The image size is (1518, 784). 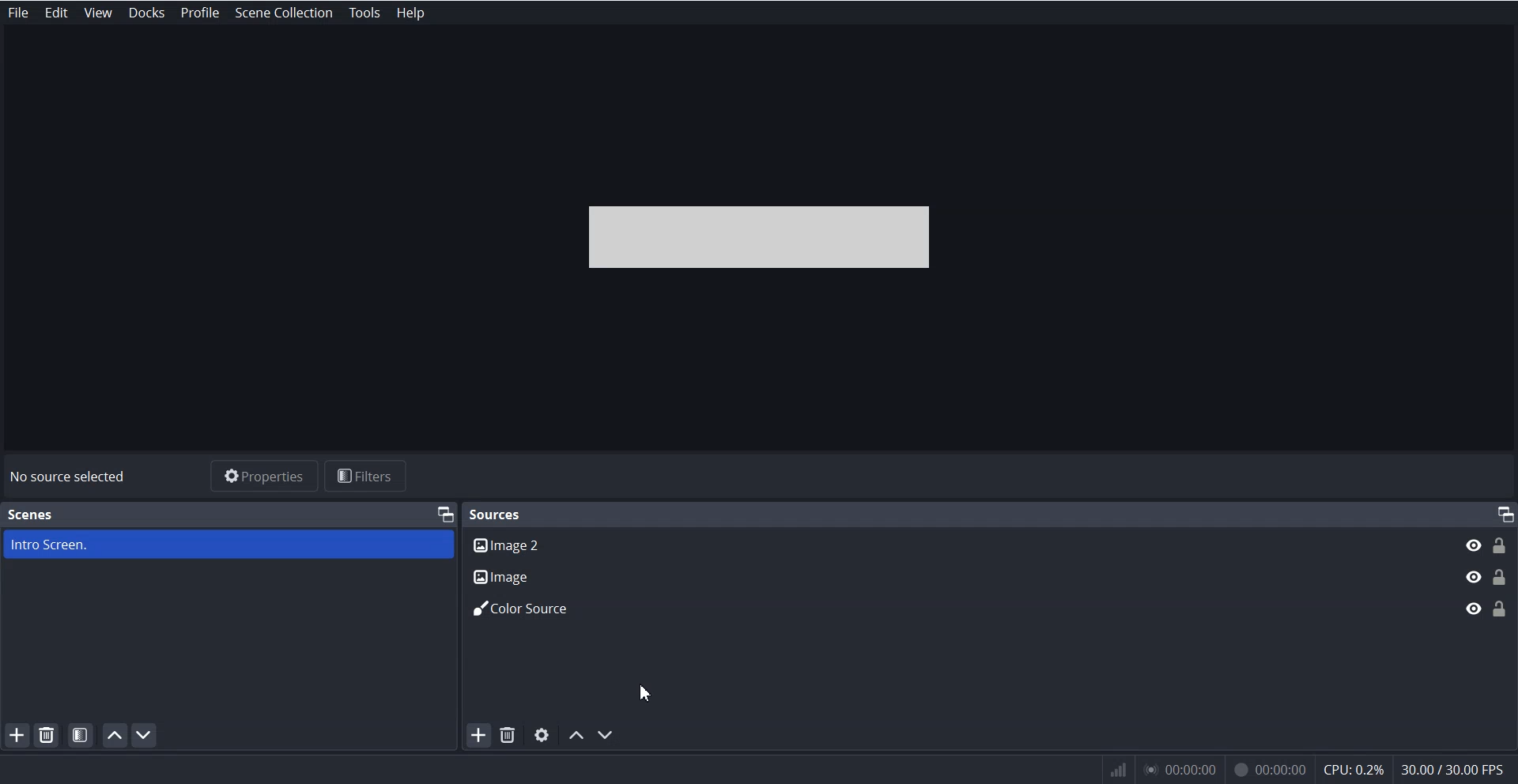 I want to click on Scene Collection, so click(x=285, y=13).